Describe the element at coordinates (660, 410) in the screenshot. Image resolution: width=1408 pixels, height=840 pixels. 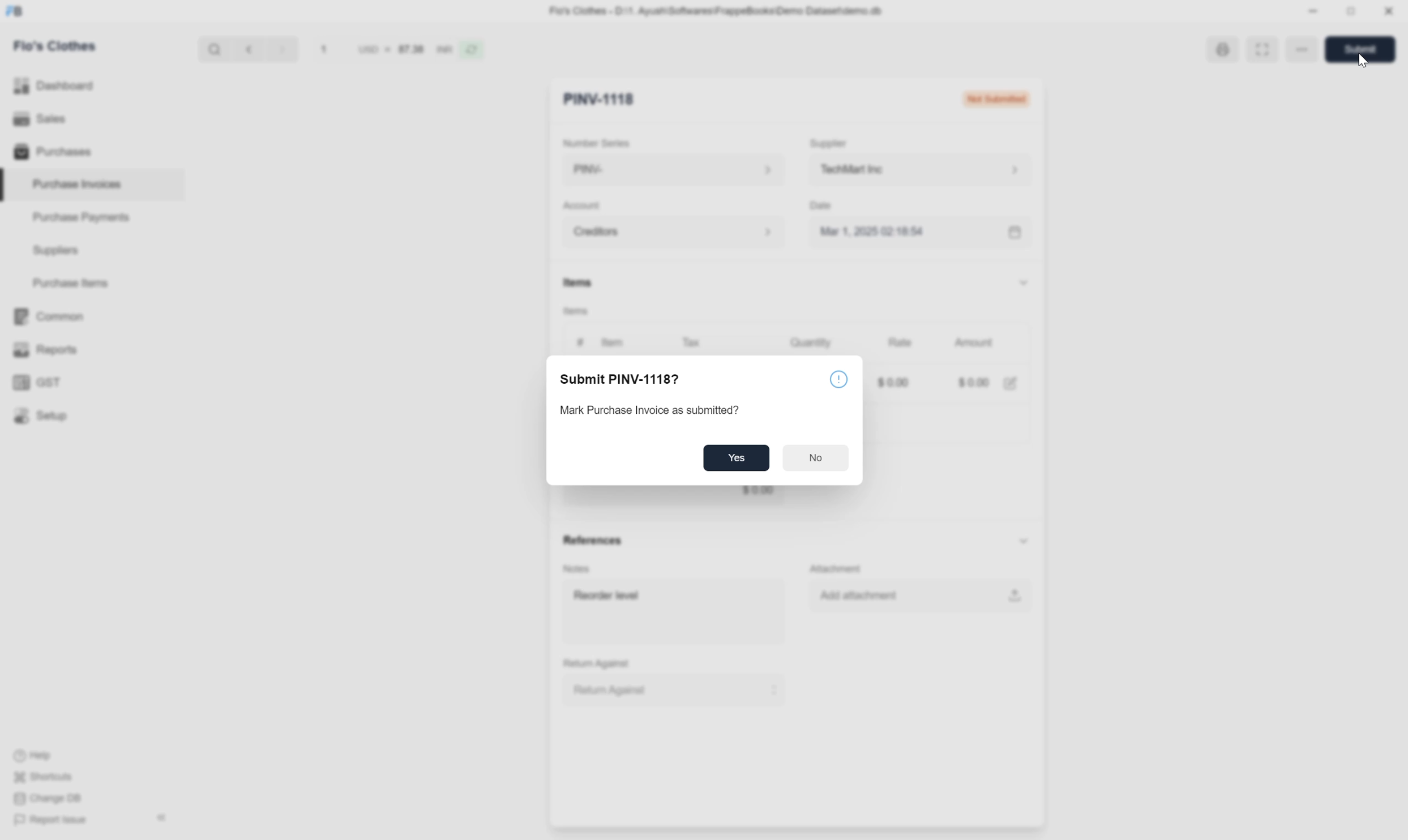
I see `Mark Purchase Invoice as submitted?` at that location.